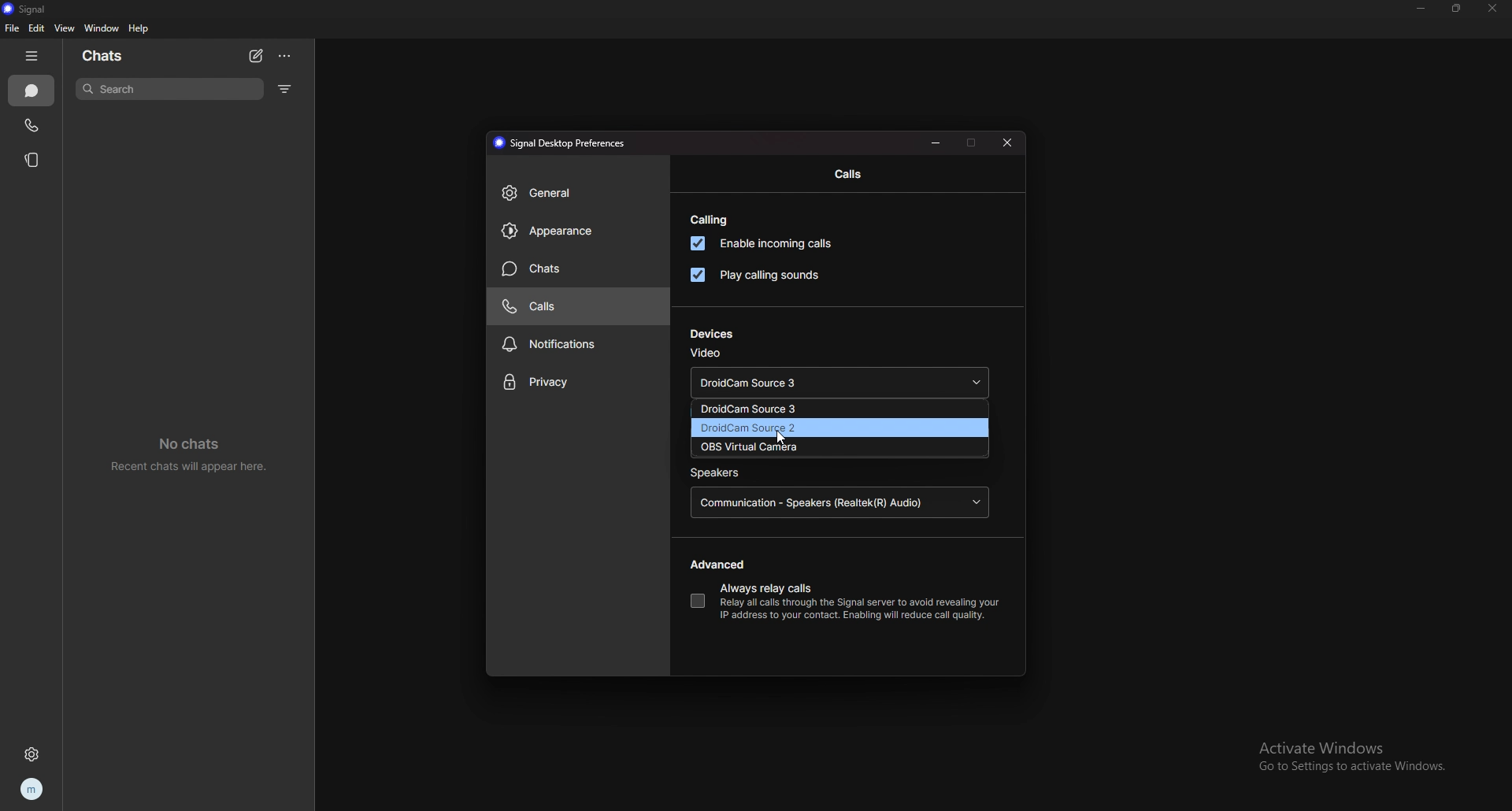  Describe the element at coordinates (31, 791) in the screenshot. I see `profile` at that location.